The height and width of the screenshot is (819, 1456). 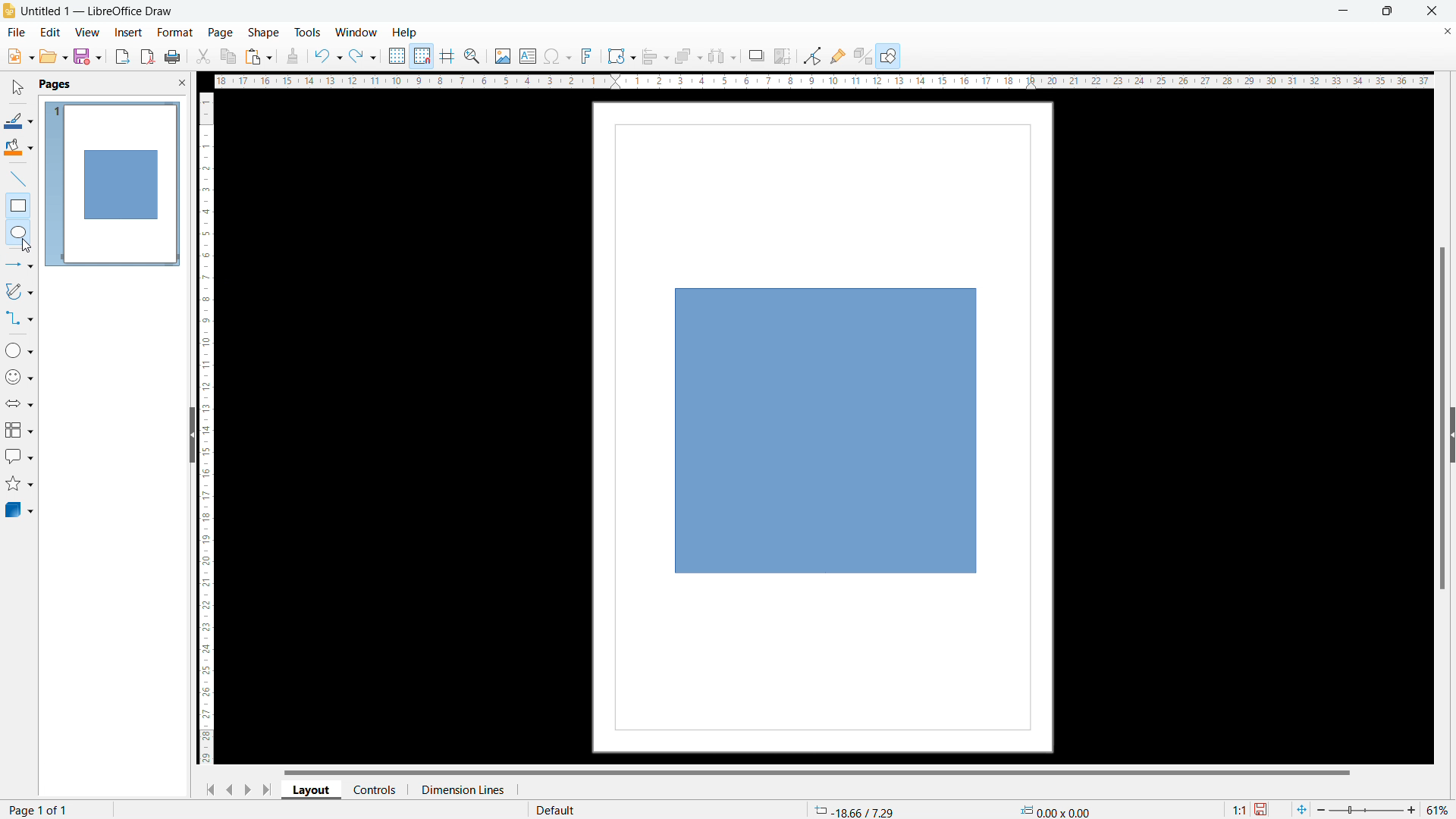 What do you see at coordinates (1237, 808) in the screenshot?
I see `scaling factor` at bounding box center [1237, 808].